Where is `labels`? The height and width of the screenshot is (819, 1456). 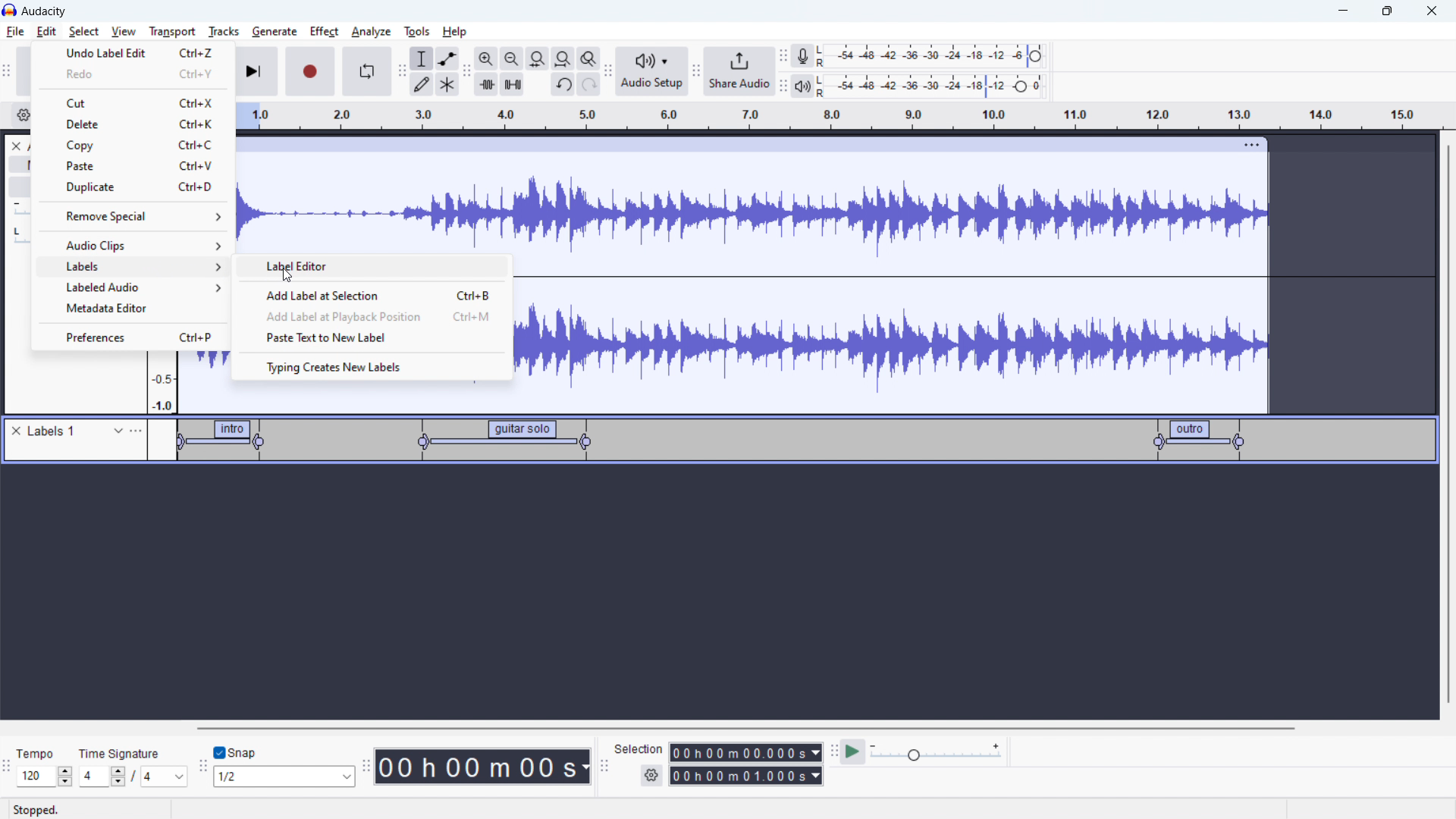 labels is located at coordinates (54, 431).